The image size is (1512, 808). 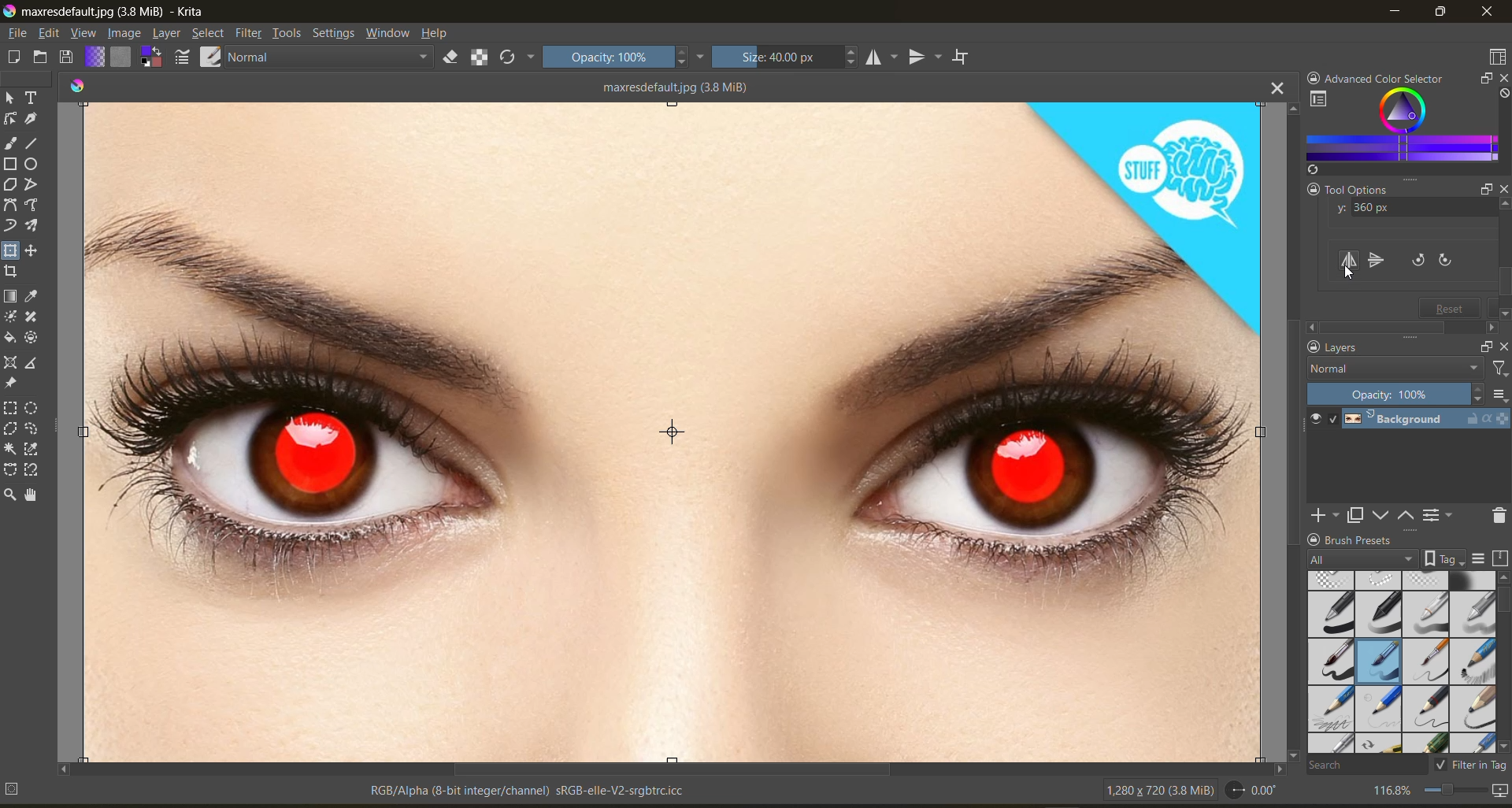 I want to click on choose brush preset, so click(x=213, y=55).